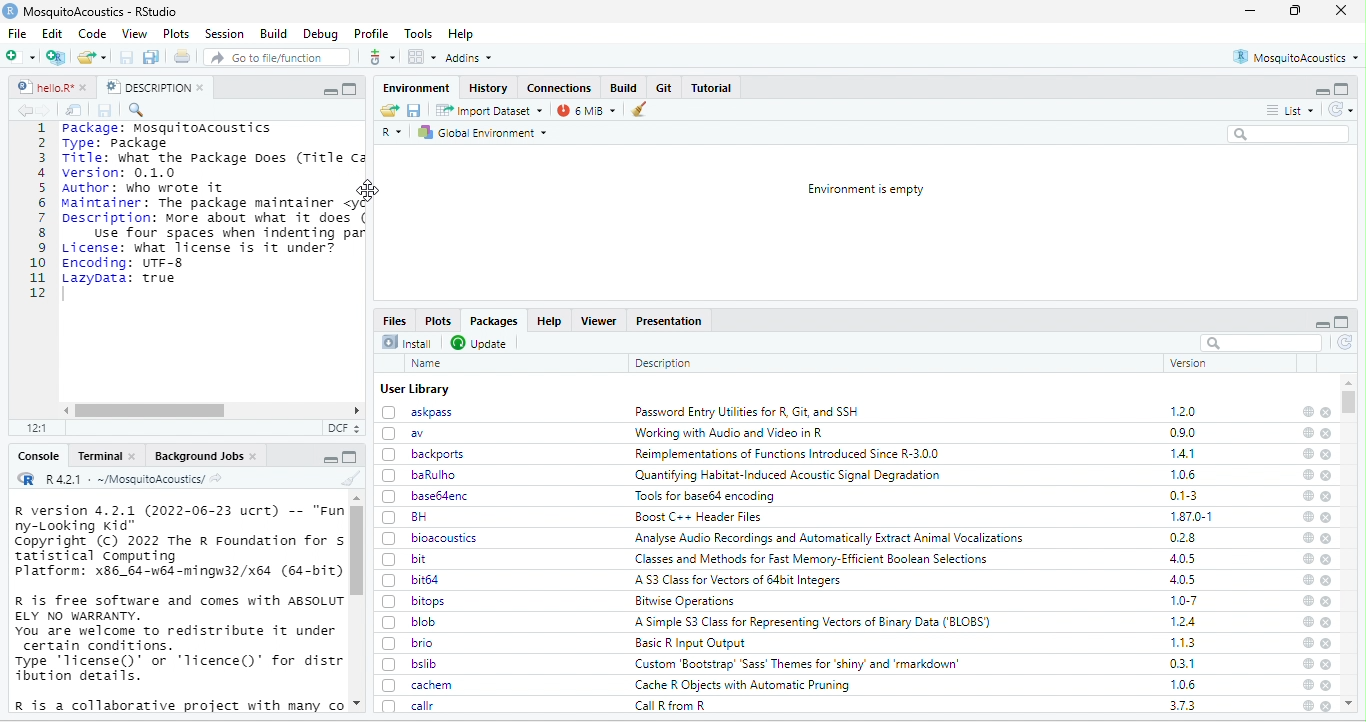  Describe the element at coordinates (153, 409) in the screenshot. I see `scroll bar` at that location.